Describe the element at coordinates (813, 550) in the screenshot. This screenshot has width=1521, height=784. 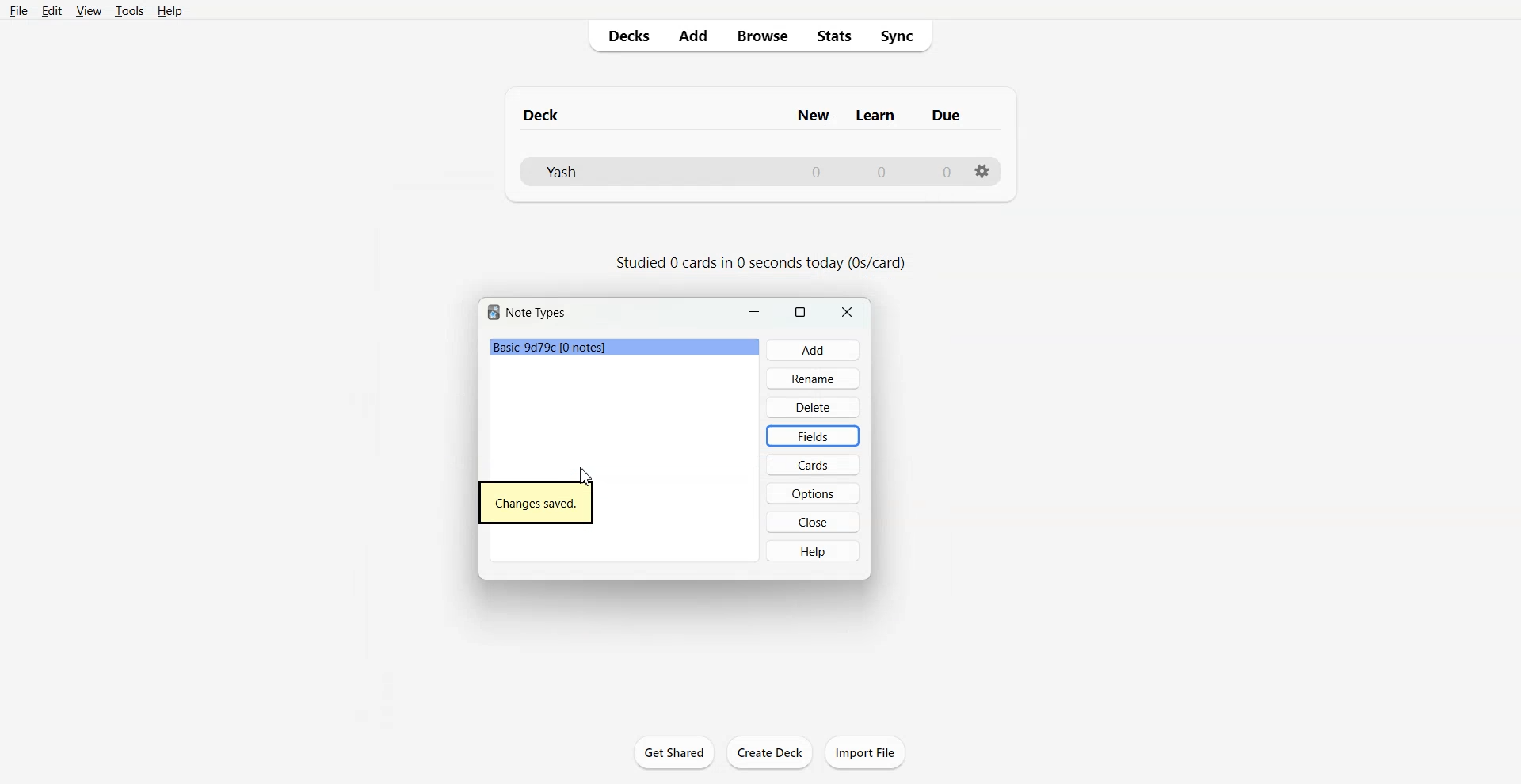
I see `Help` at that location.